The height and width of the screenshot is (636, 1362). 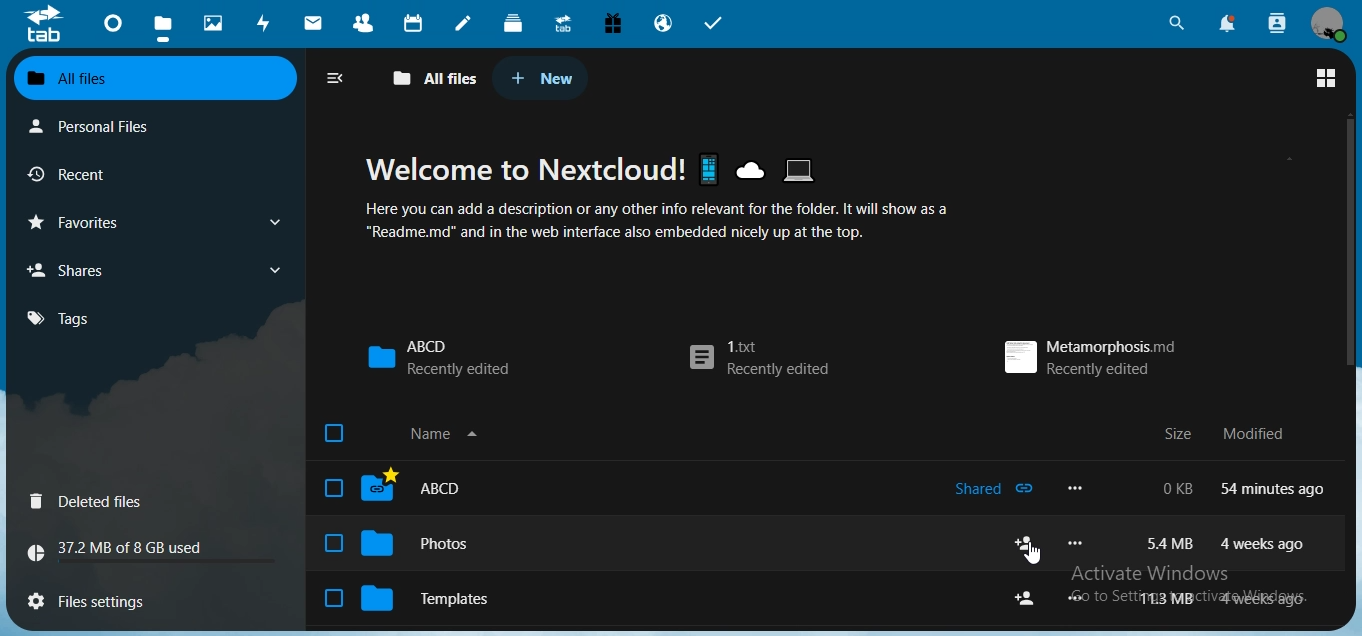 I want to click on mail, so click(x=316, y=25).